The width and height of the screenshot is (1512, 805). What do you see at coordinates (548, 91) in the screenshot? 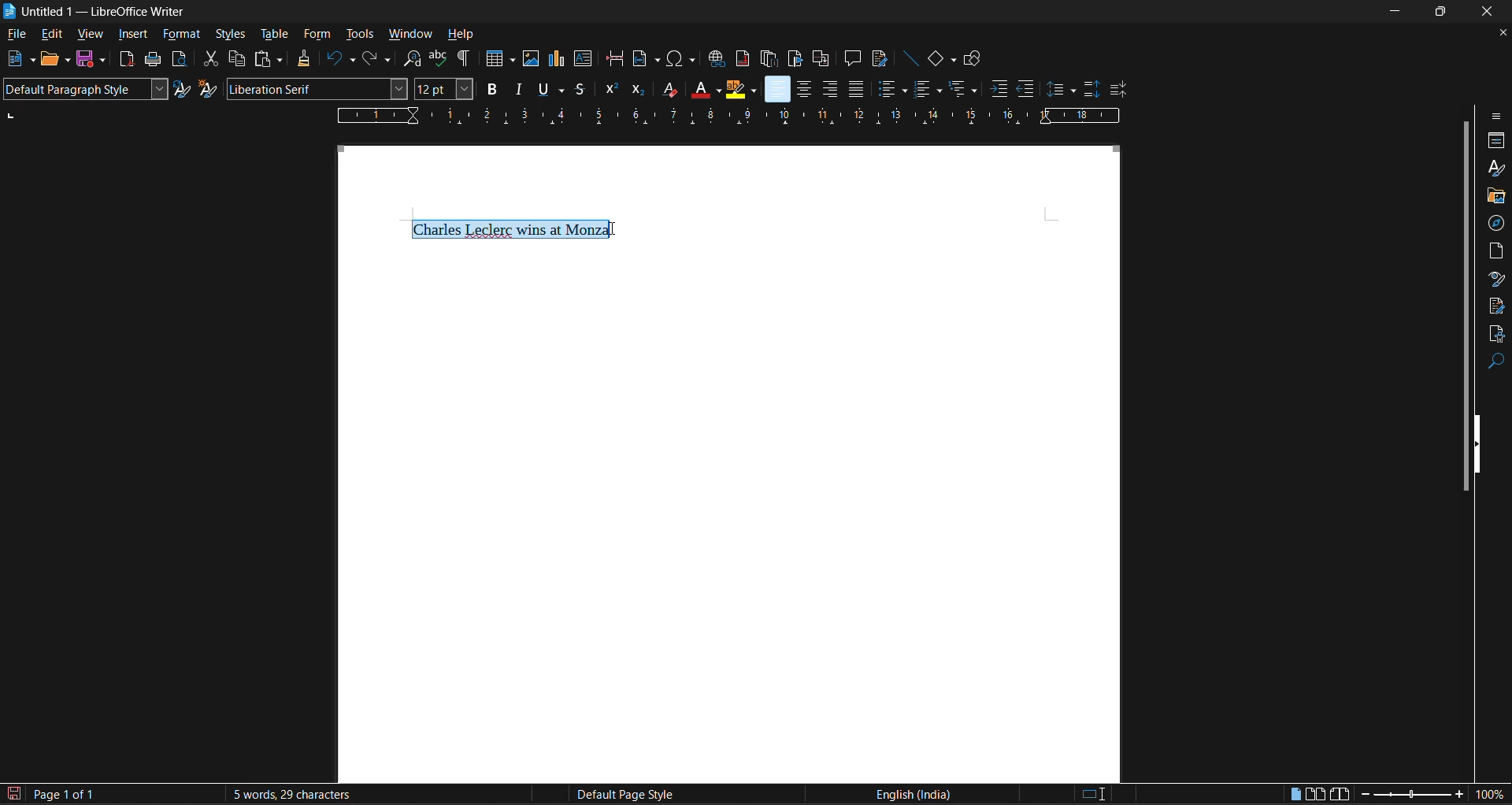
I see `underline` at bounding box center [548, 91].